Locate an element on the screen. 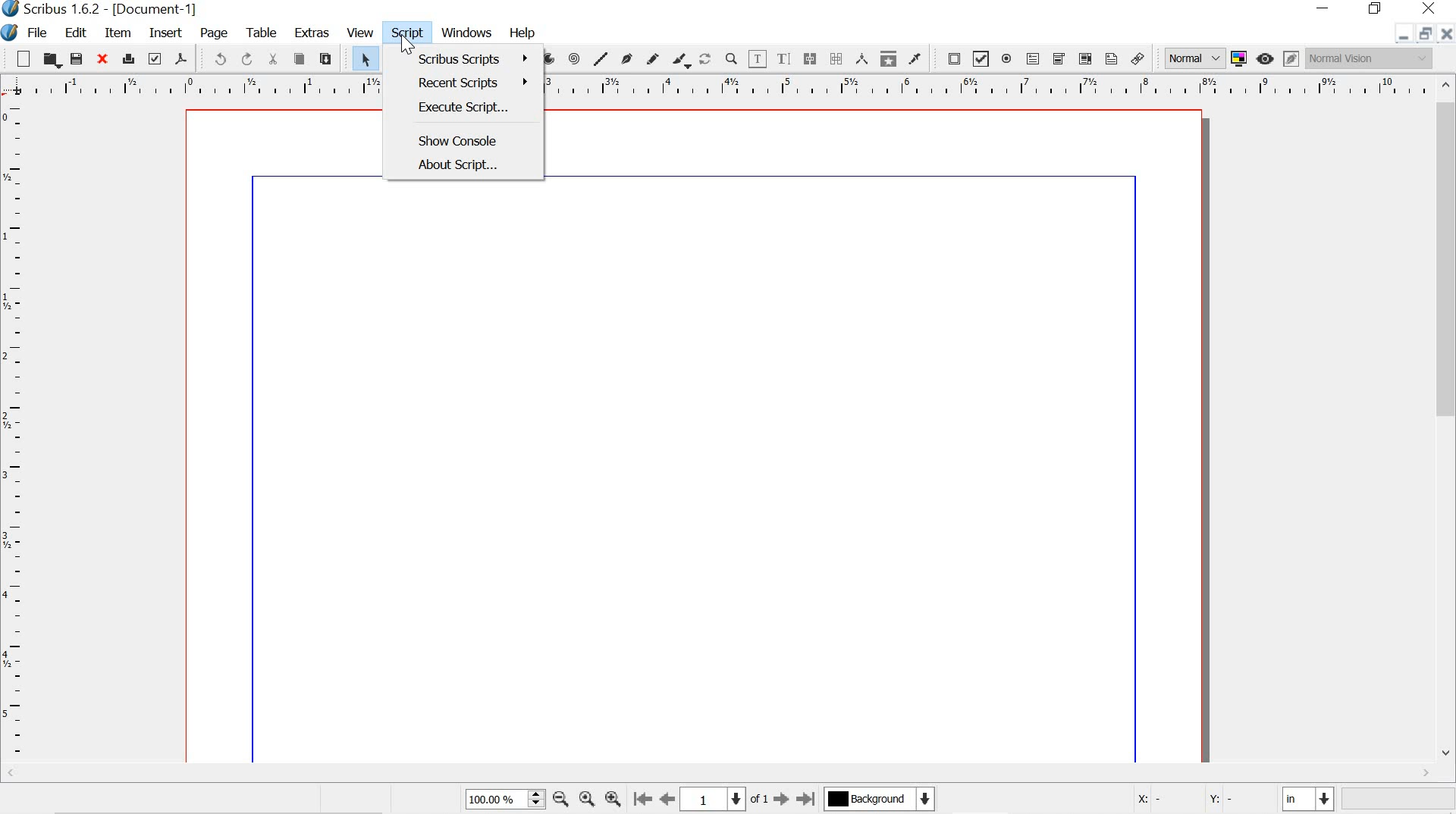  1 of 1 is located at coordinates (724, 798).